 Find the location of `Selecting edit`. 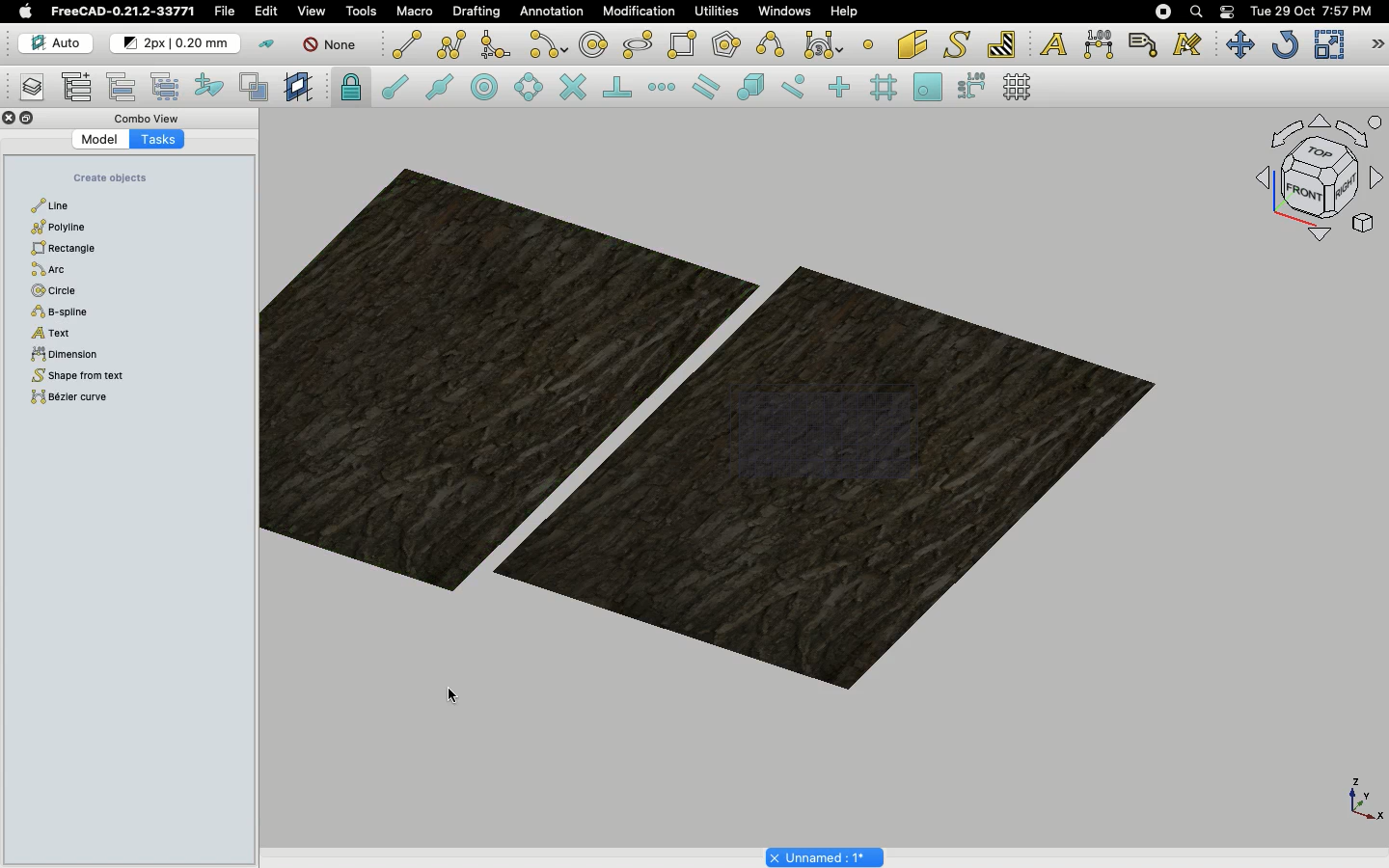

Selecting edit is located at coordinates (270, 13).